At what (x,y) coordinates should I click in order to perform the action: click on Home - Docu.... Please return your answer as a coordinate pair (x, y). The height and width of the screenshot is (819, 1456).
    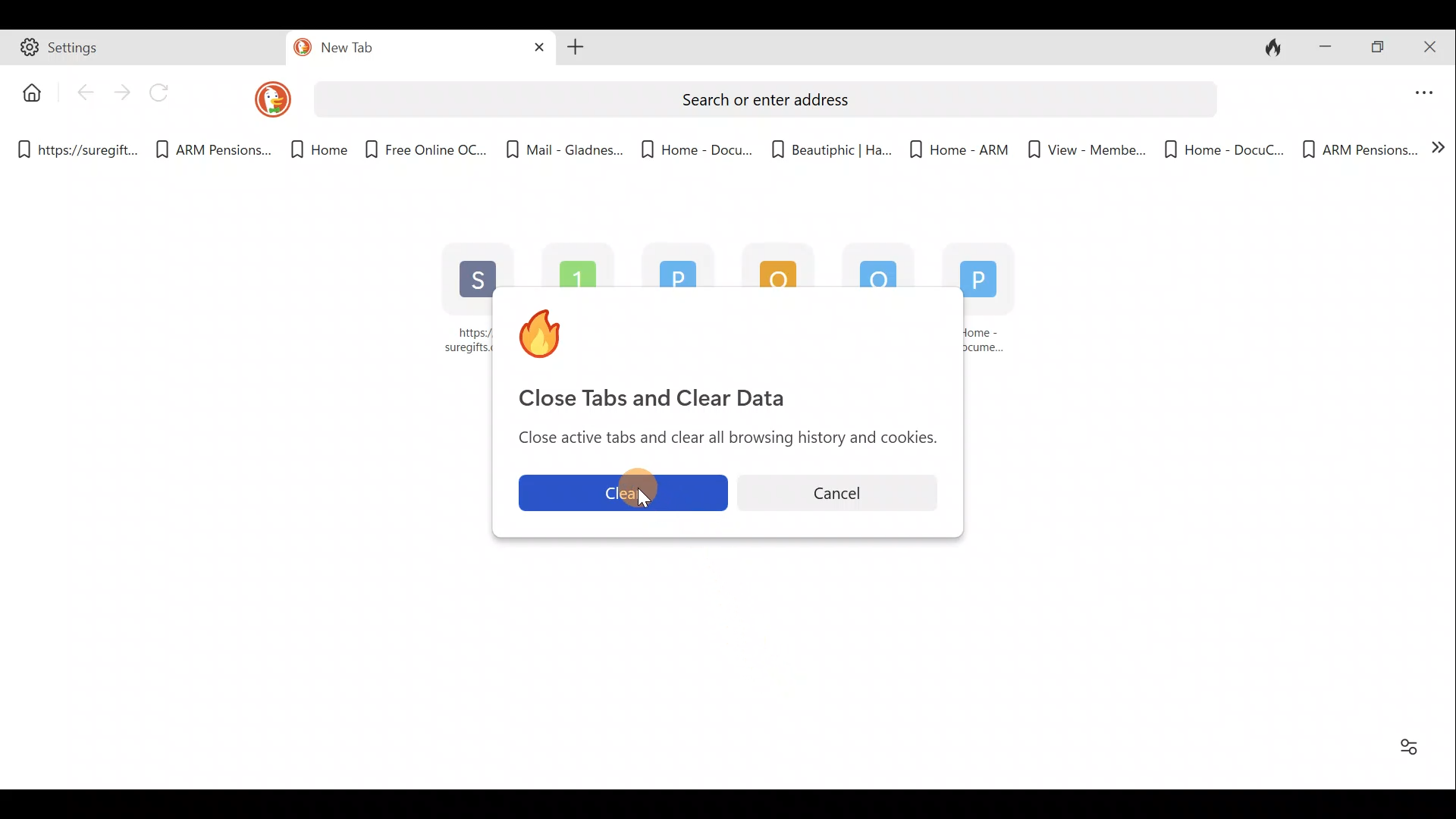
    Looking at the image, I should click on (695, 145).